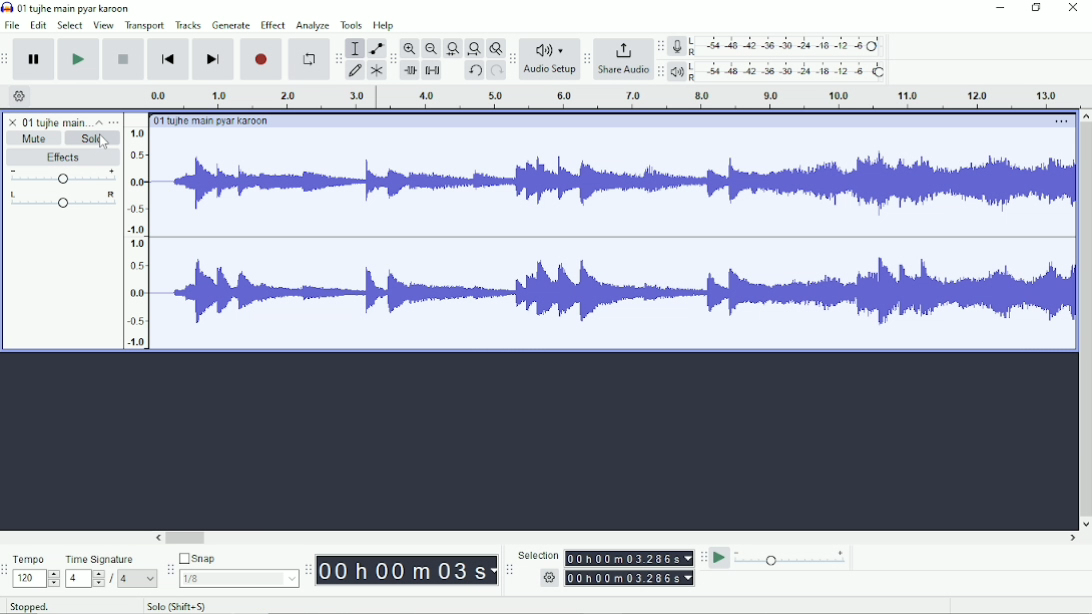 Image resolution: width=1092 pixels, height=614 pixels. Describe the element at coordinates (38, 580) in the screenshot. I see `` at that location.